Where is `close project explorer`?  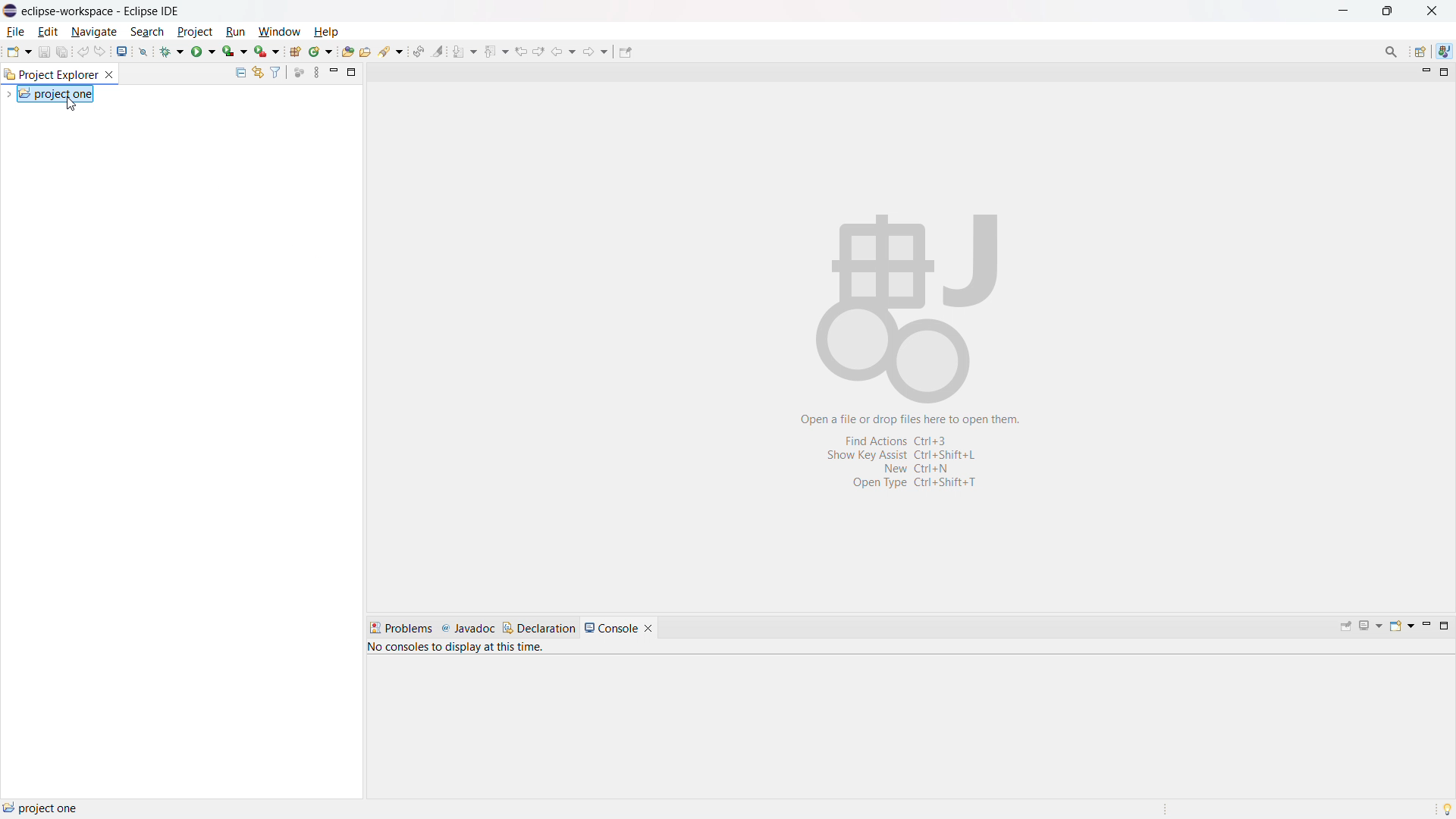 close project explorer is located at coordinates (109, 75).